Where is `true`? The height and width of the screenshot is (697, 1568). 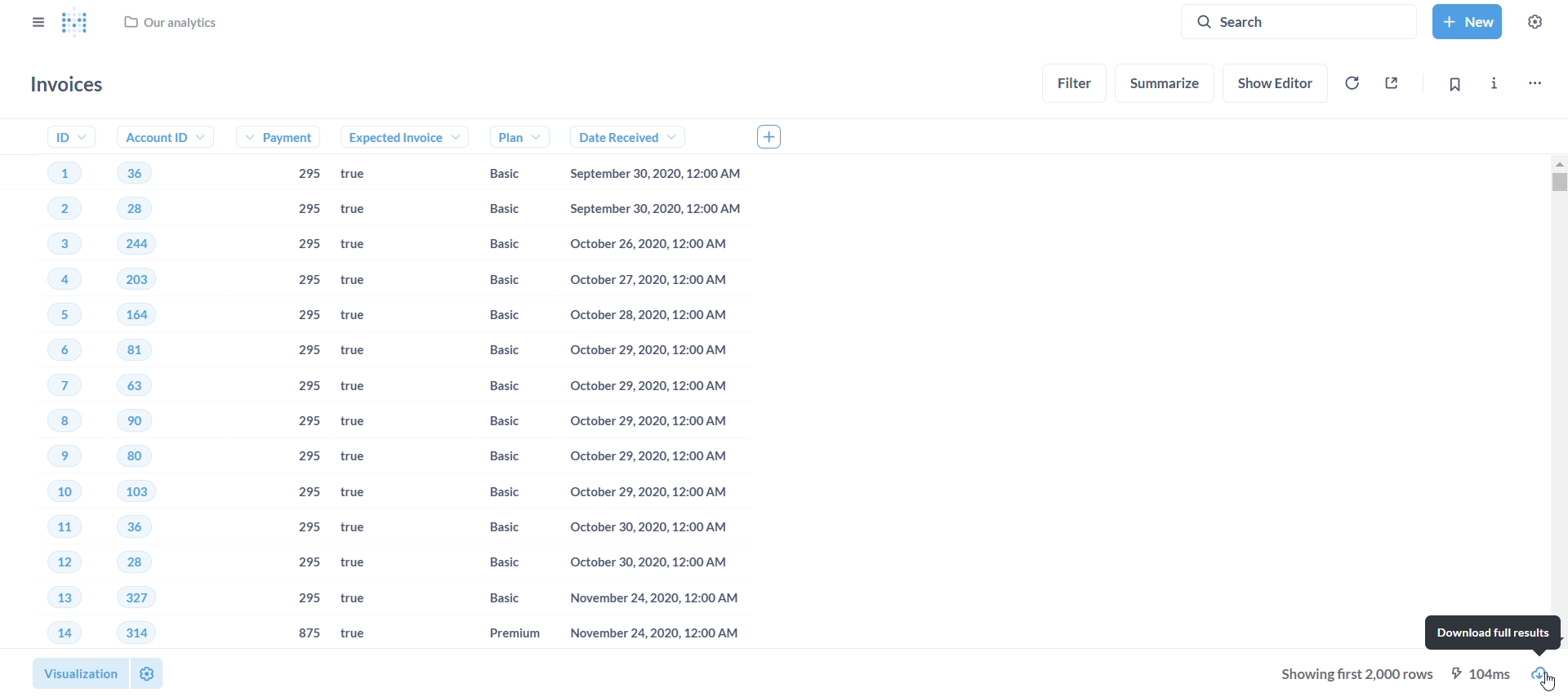 true is located at coordinates (365, 316).